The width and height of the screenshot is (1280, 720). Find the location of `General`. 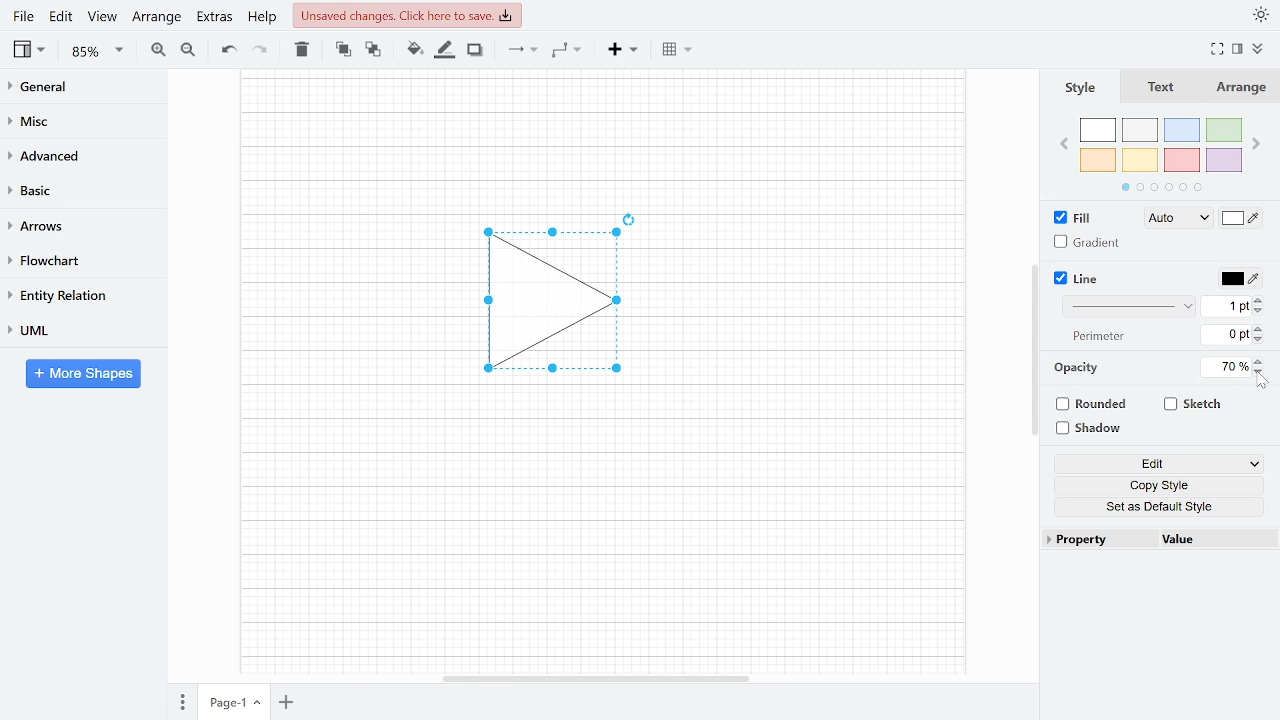

General is located at coordinates (76, 89).